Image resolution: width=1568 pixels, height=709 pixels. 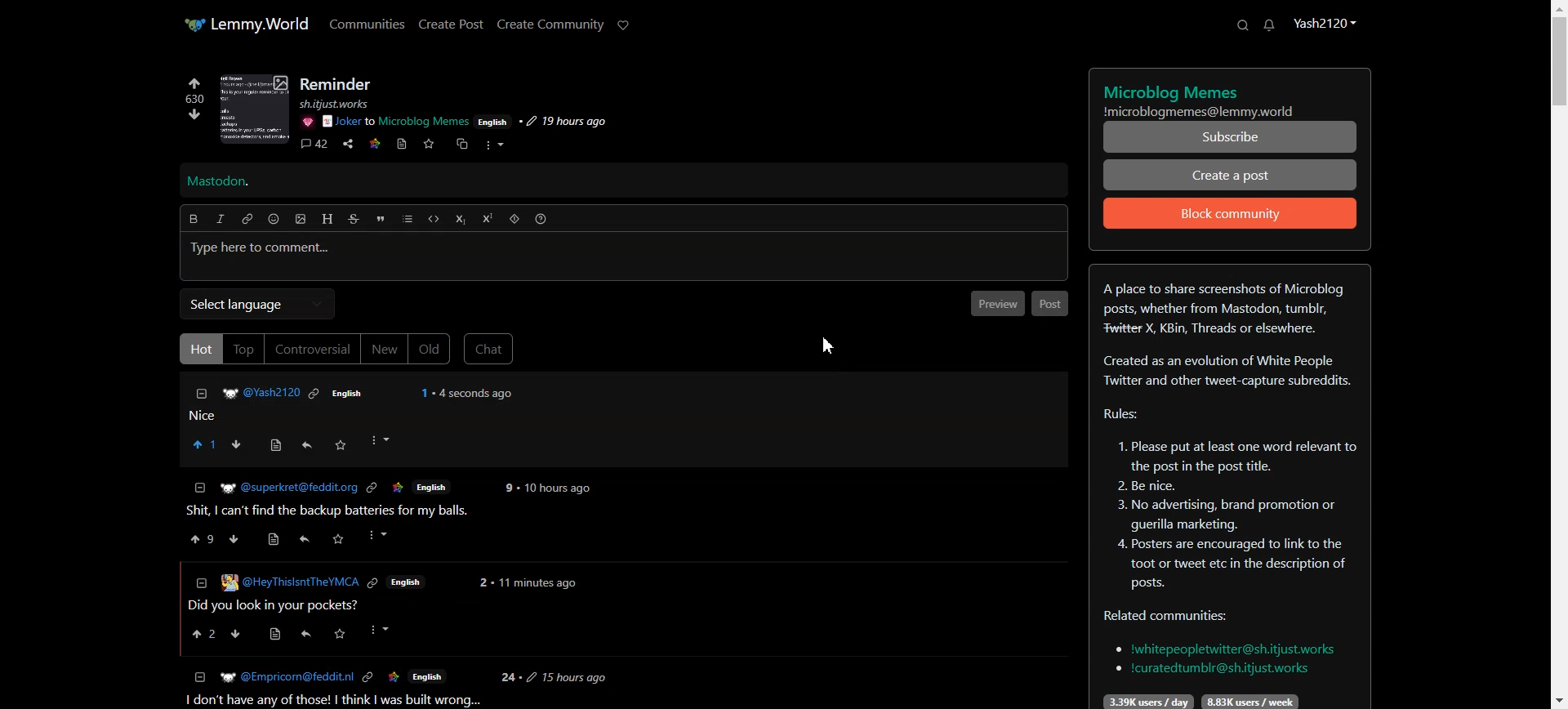 What do you see at coordinates (562, 122) in the screenshot?
I see `` at bounding box center [562, 122].